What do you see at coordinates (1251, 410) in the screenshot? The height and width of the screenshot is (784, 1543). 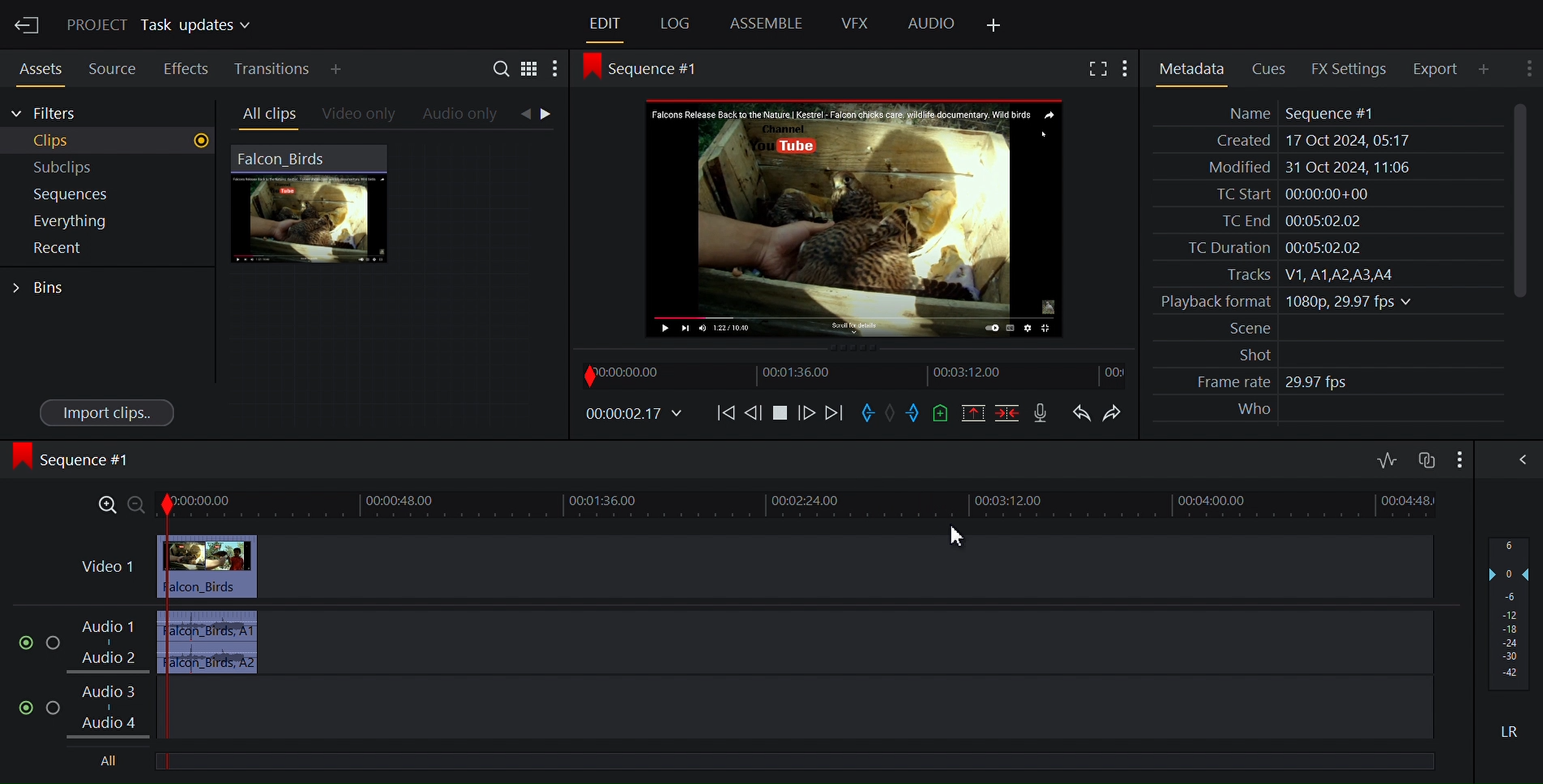 I see `Who` at bounding box center [1251, 410].